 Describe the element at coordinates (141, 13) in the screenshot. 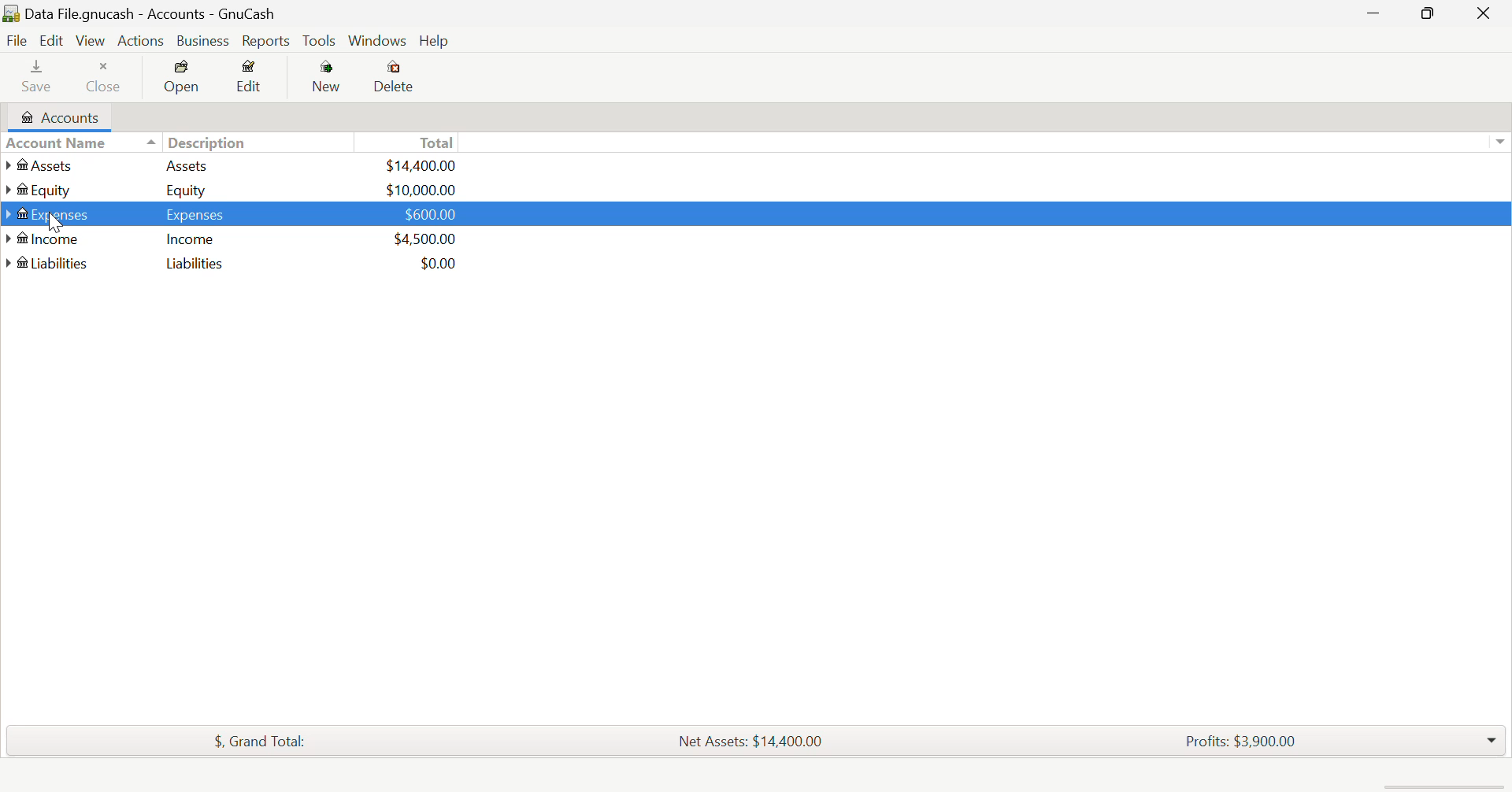

I see `Date file.gnucash - Accounts - Gnucash` at that location.